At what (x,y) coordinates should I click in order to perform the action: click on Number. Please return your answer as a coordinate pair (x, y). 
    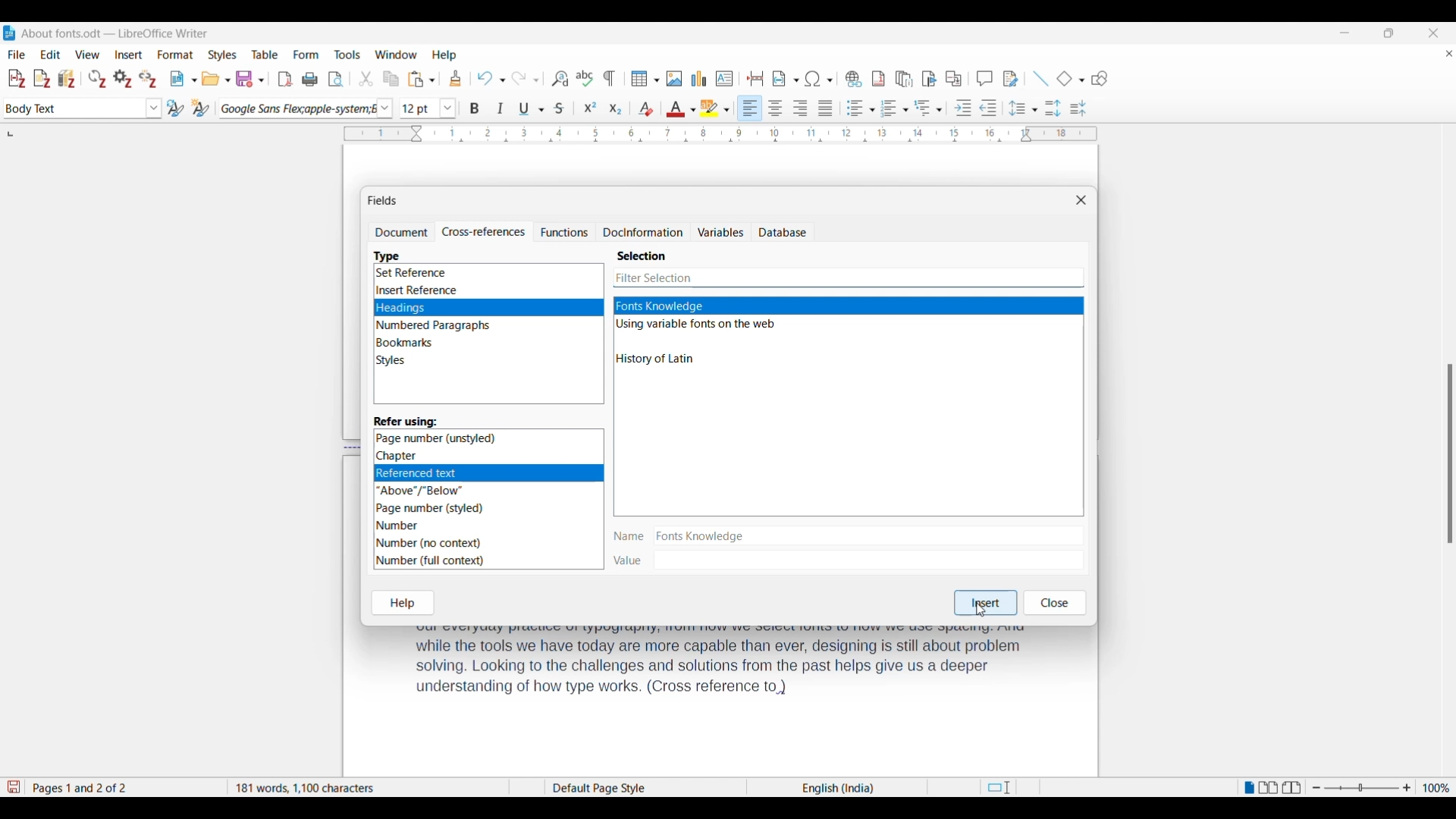
    Looking at the image, I should click on (402, 525).